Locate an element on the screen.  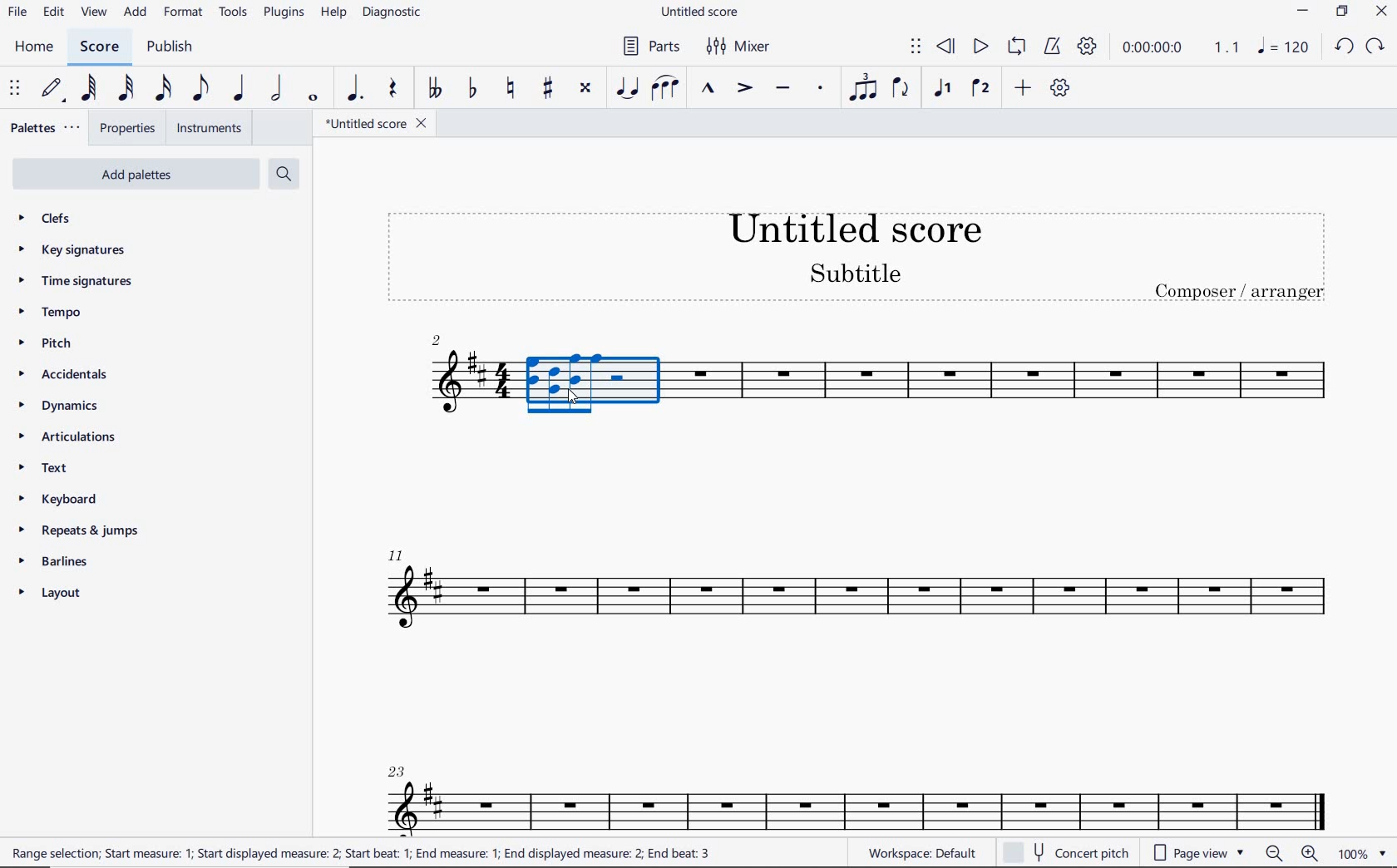
TOGGLE NATURAL is located at coordinates (513, 89).